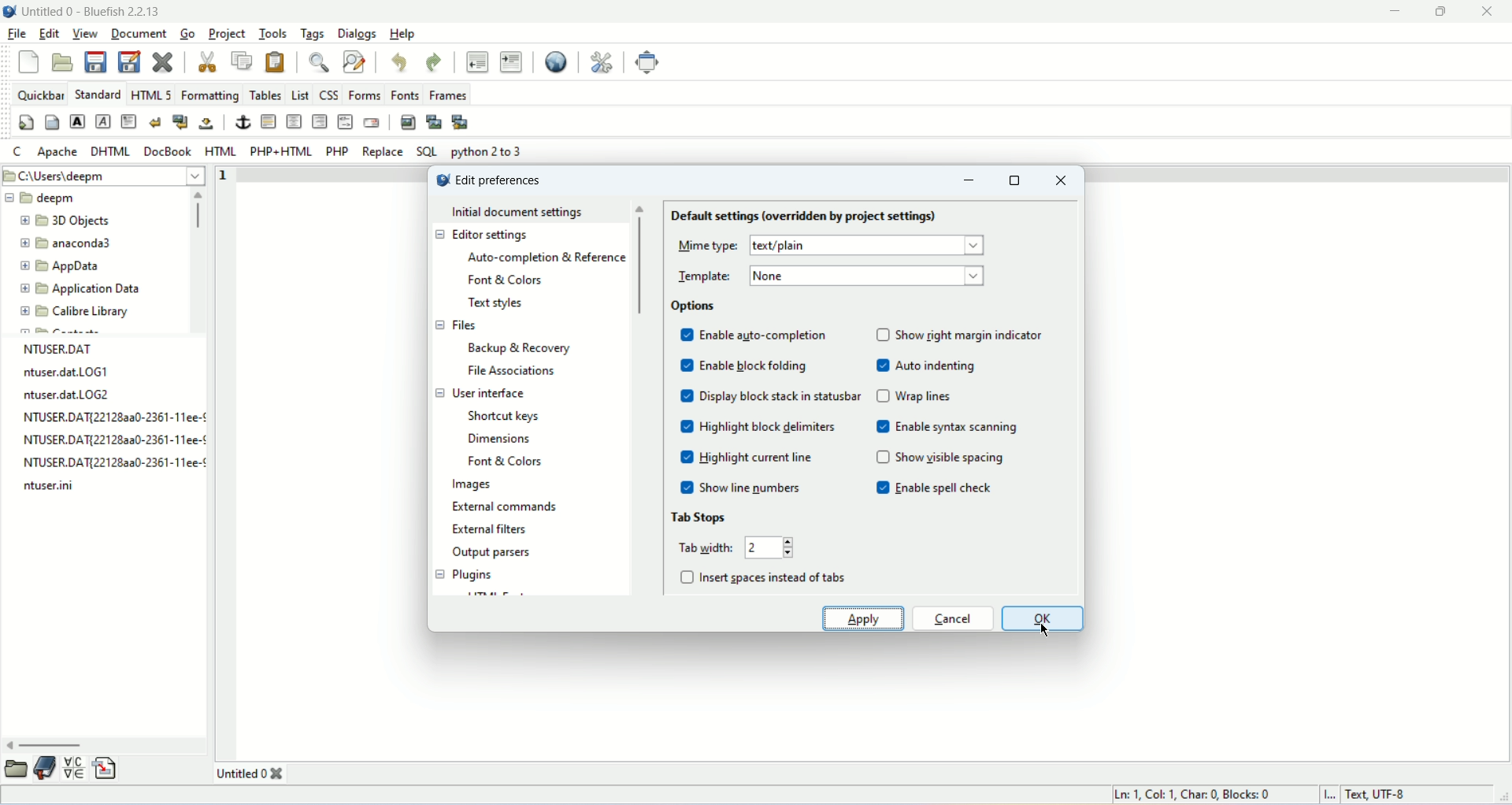  What do you see at coordinates (790, 247) in the screenshot?
I see `text/plain` at bounding box center [790, 247].